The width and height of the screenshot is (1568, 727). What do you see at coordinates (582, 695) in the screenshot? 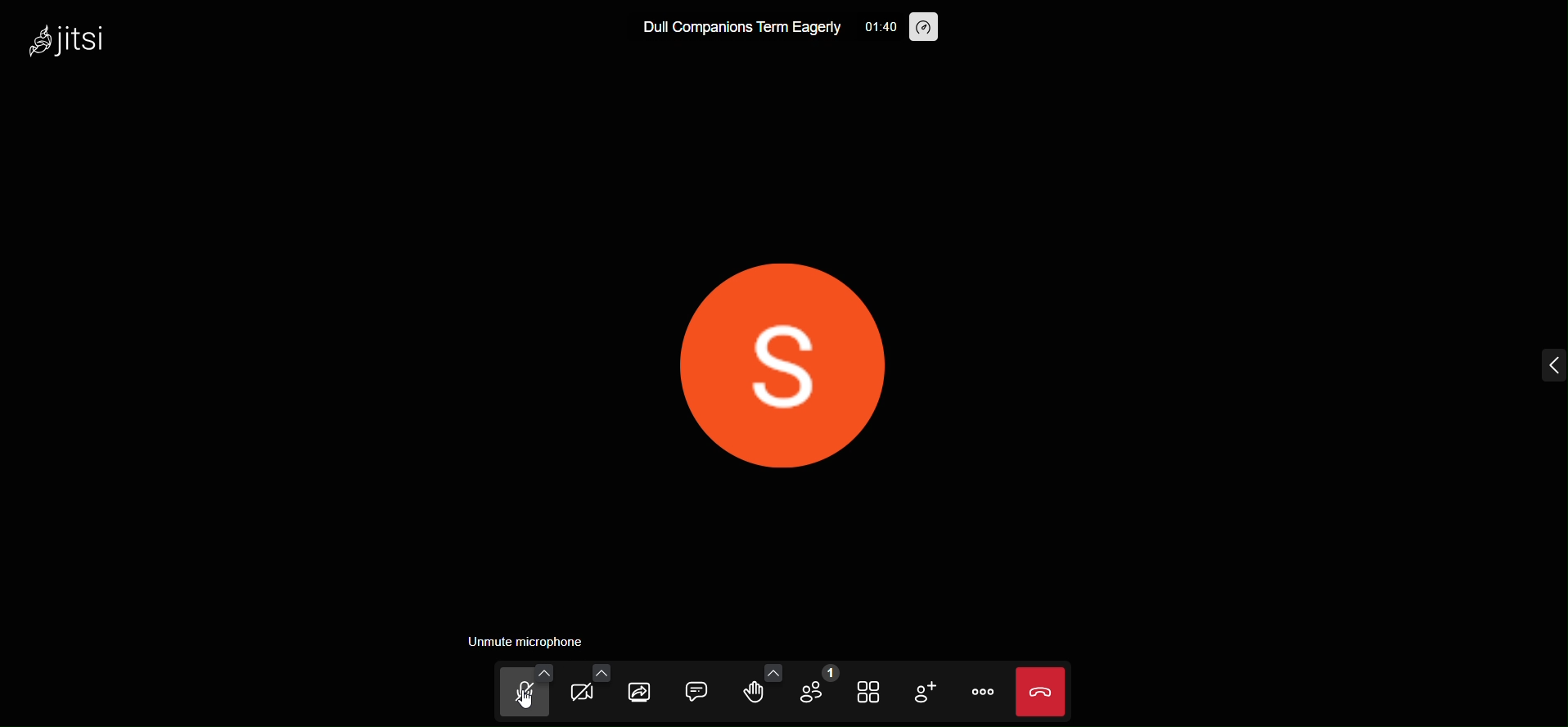
I see `video off` at bounding box center [582, 695].